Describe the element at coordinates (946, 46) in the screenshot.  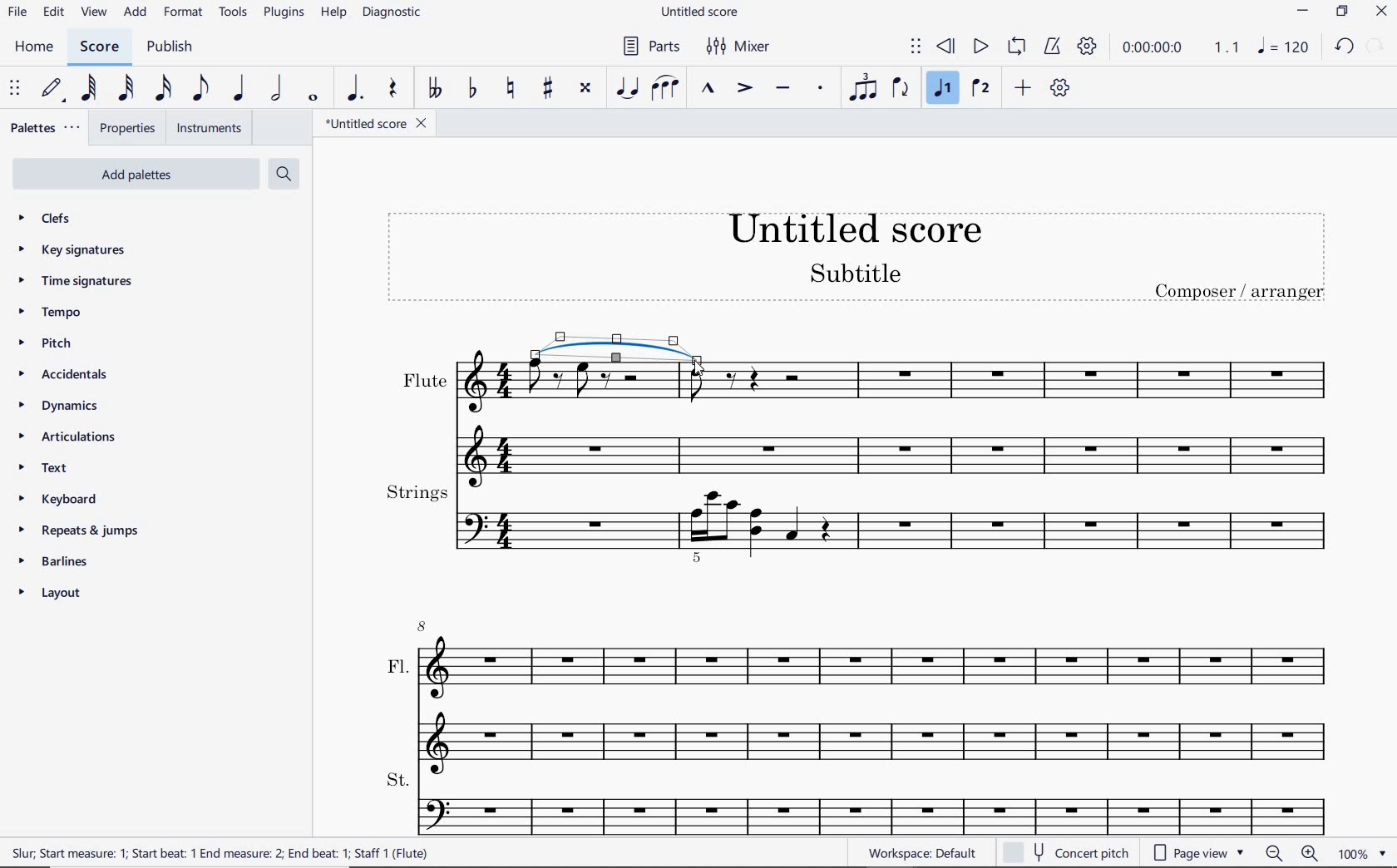
I see `REWIND` at that location.